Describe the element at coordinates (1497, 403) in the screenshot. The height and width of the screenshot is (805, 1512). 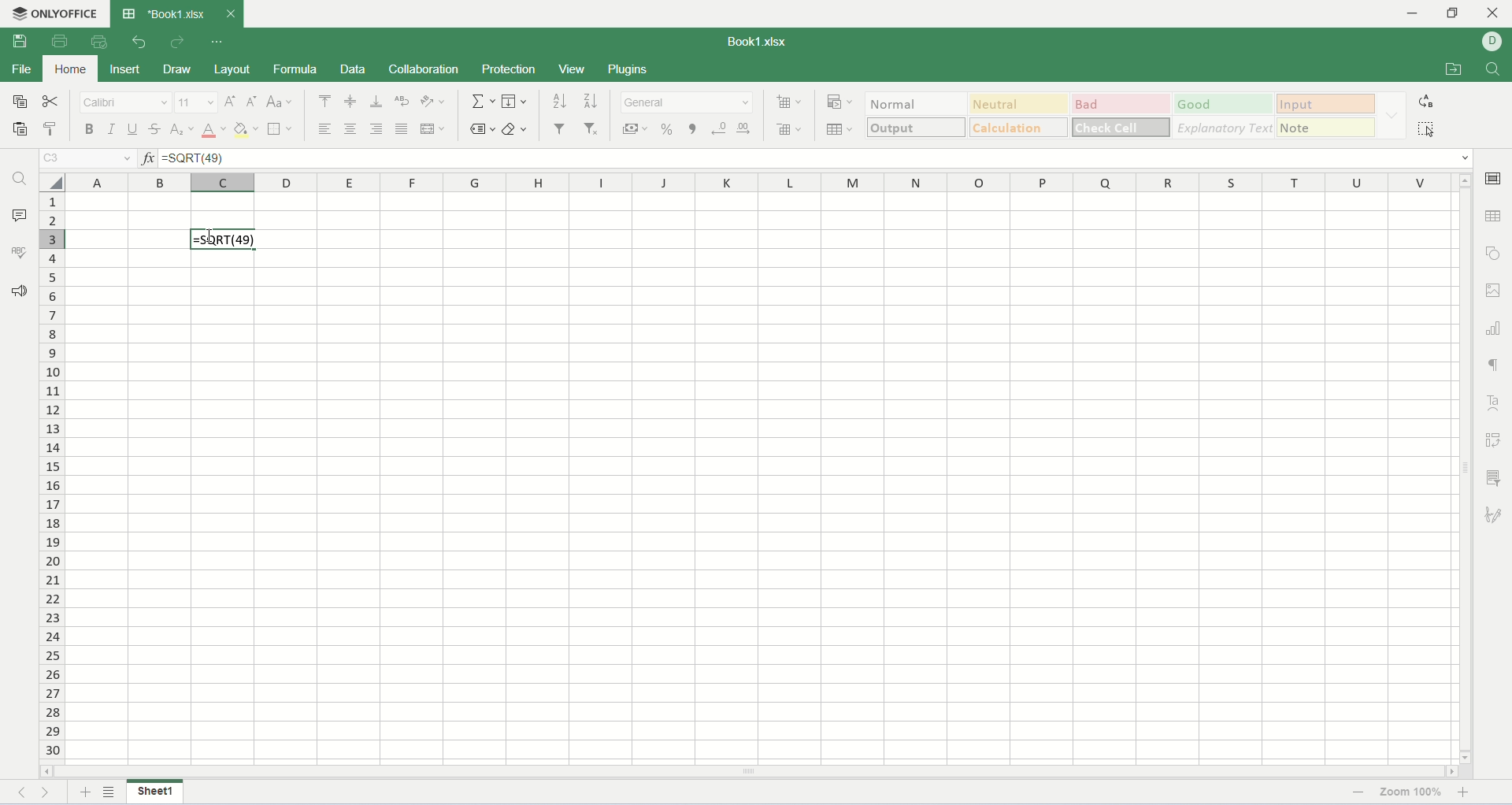
I see `text art settings` at that location.